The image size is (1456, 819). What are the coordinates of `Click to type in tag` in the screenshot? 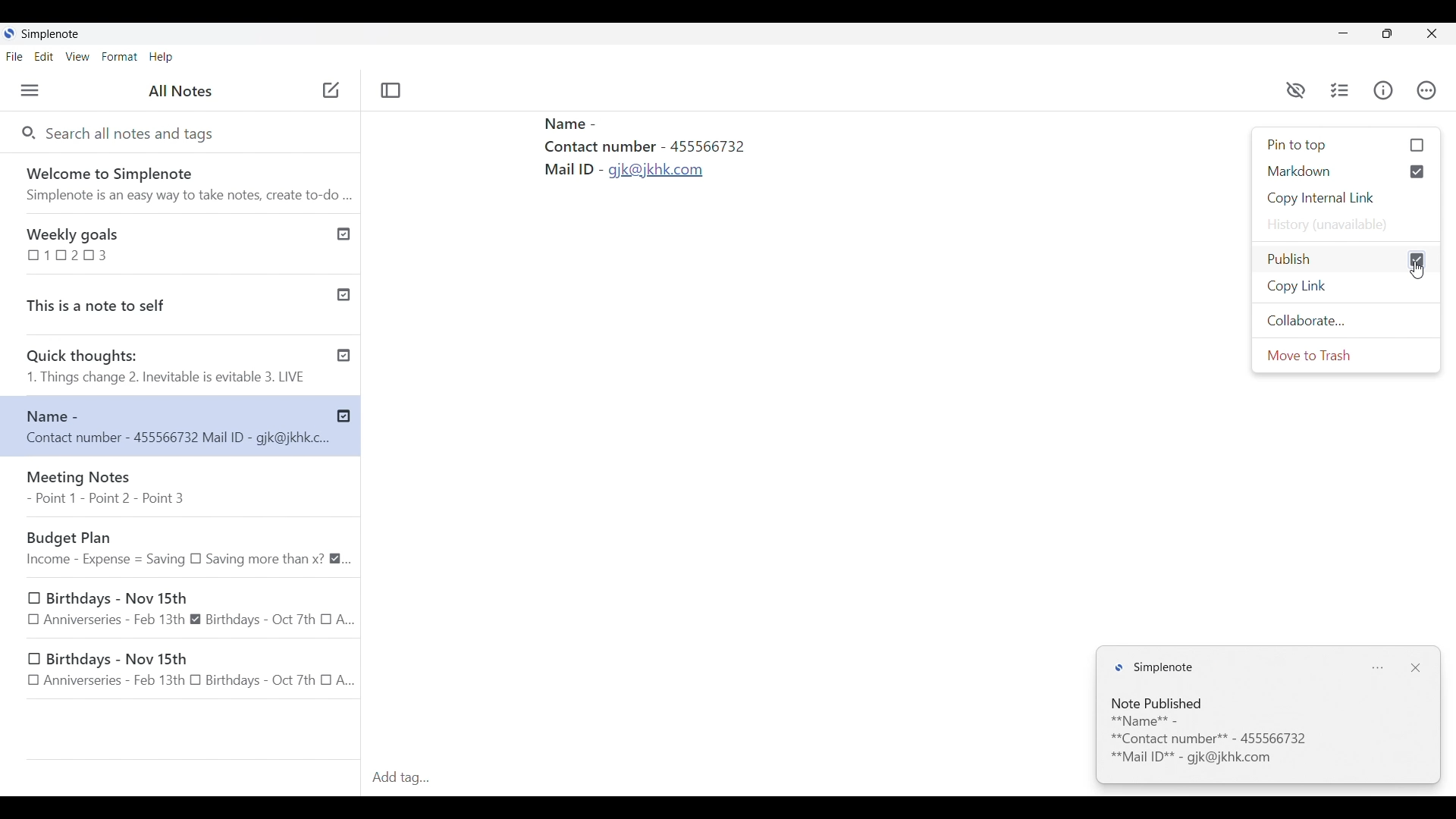 It's located at (727, 778).